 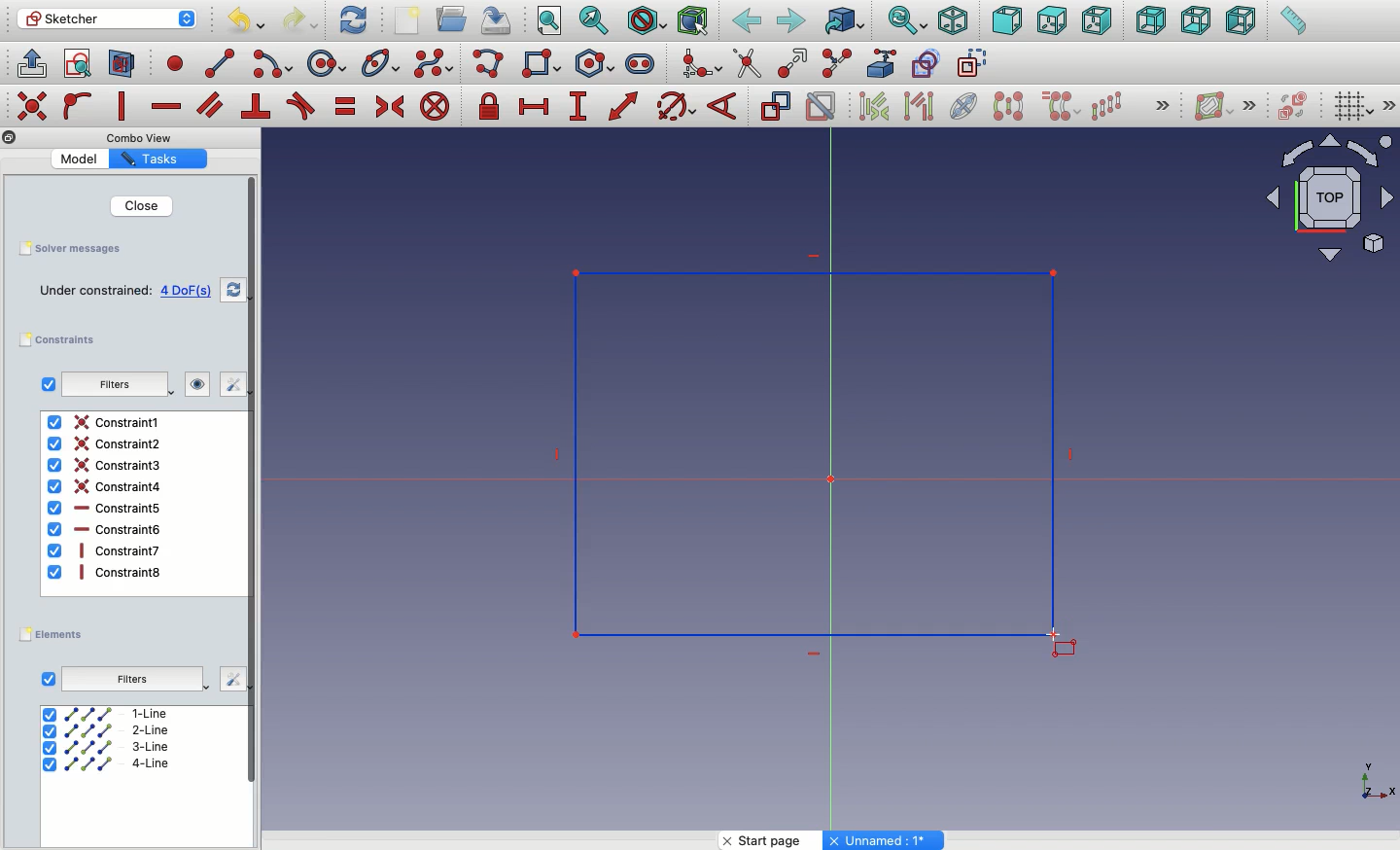 What do you see at coordinates (535, 105) in the screenshot?
I see `constrain horizontal distance` at bounding box center [535, 105].